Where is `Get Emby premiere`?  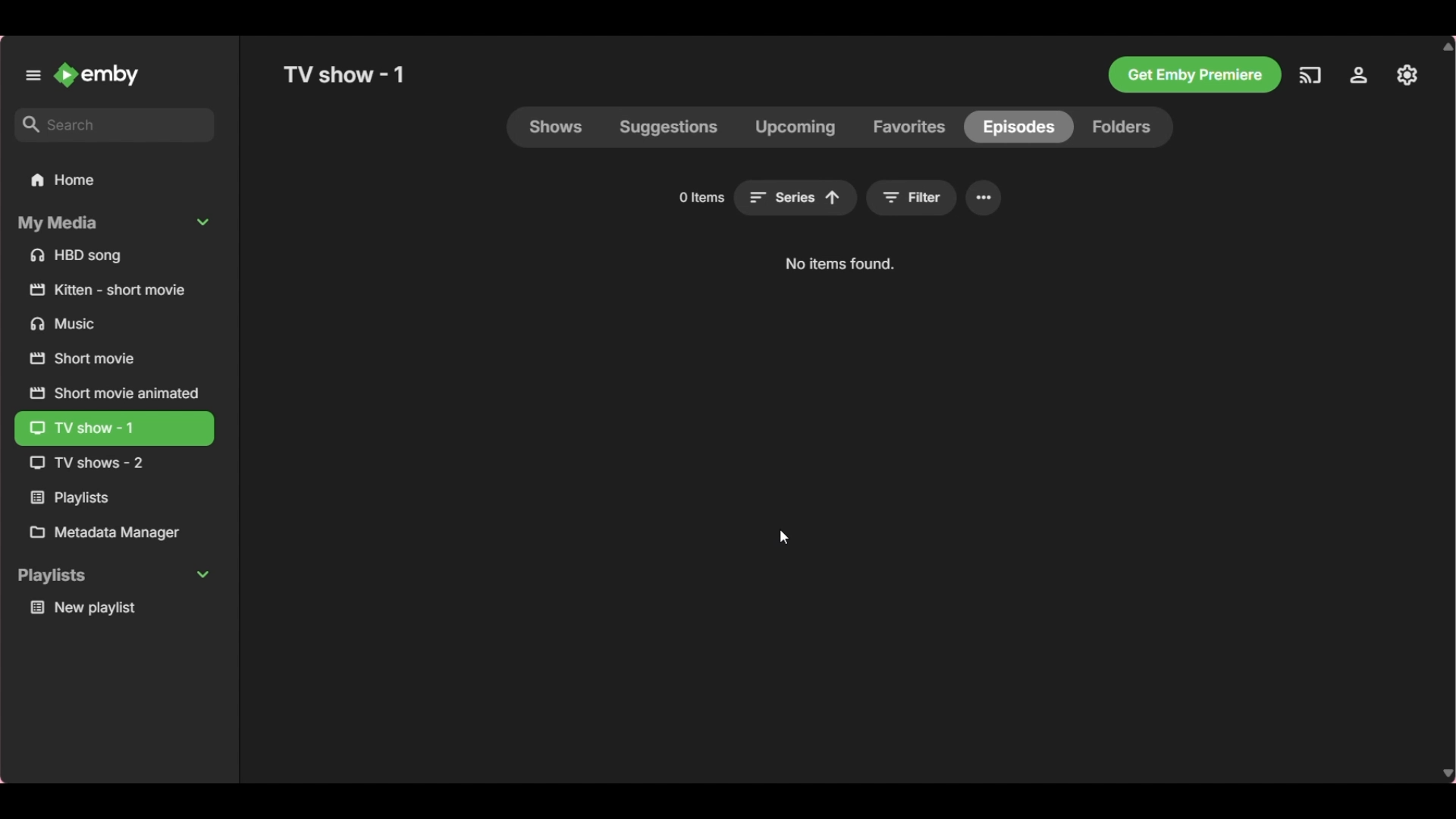
Get Emby premiere is located at coordinates (1194, 75).